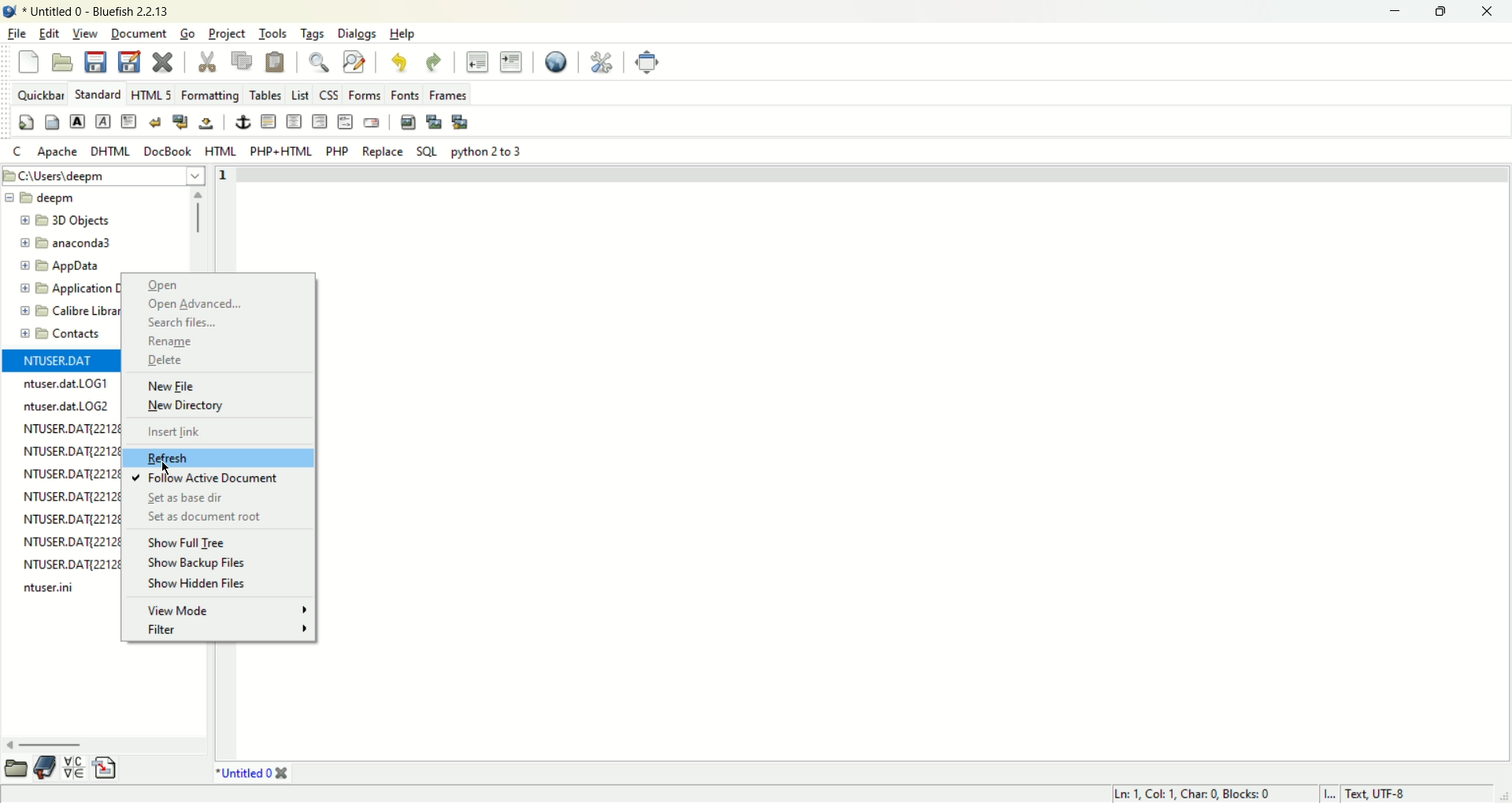  What do you see at coordinates (63, 288) in the screenshot?
I see `folder name` at bounding box center [63, 288].